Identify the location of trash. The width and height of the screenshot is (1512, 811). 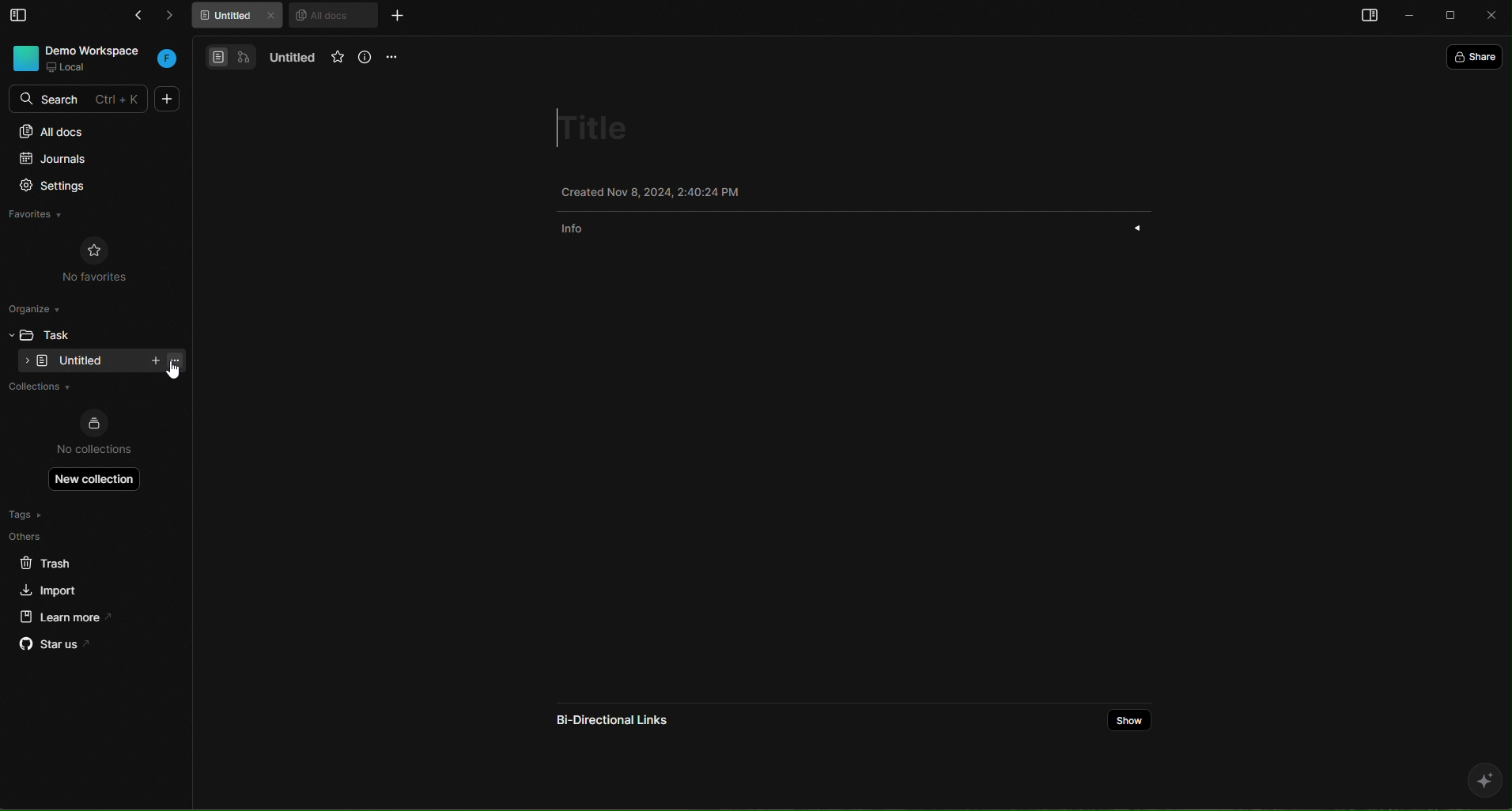
(59, 560).